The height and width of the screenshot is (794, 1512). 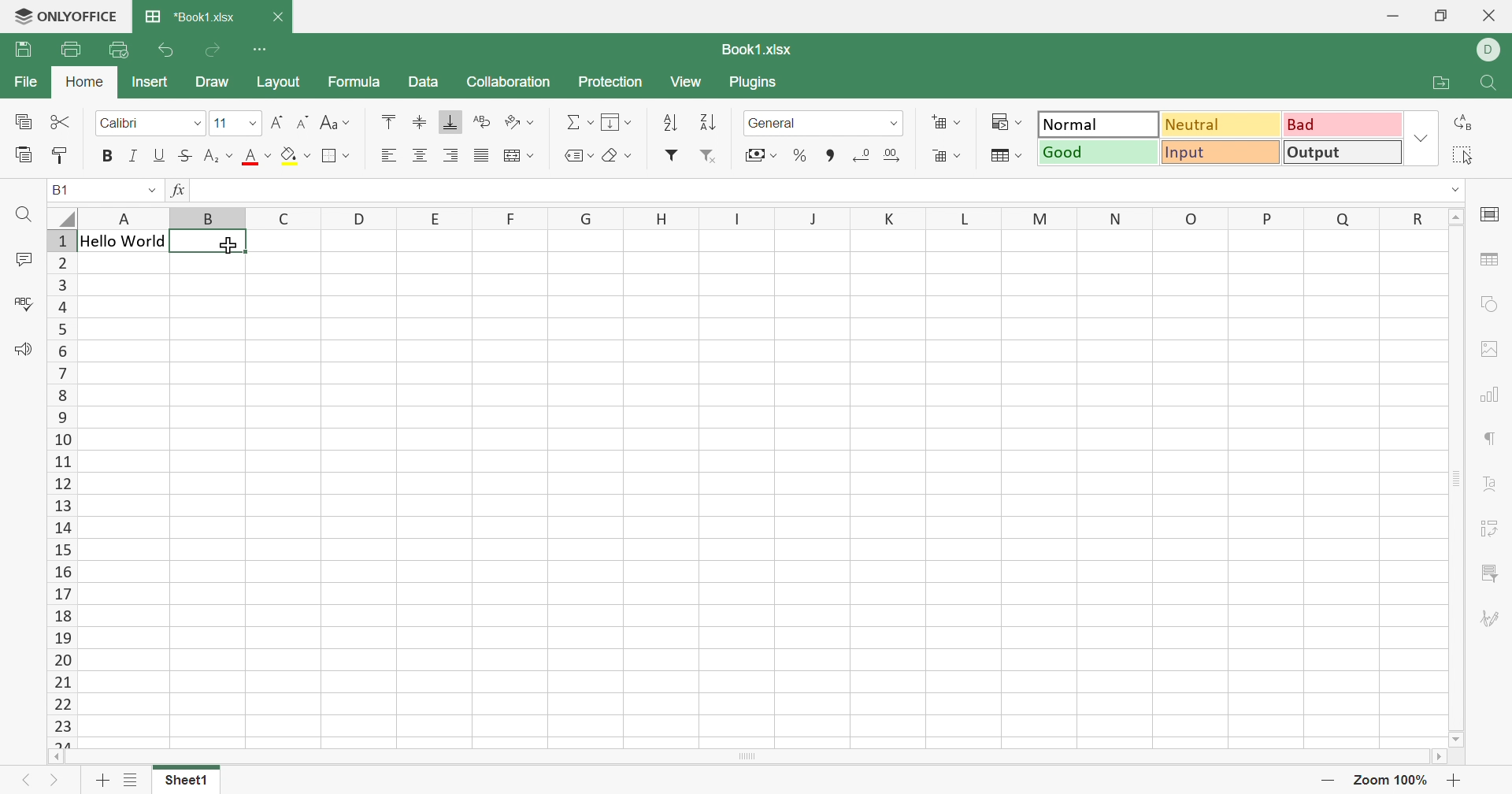 I want to click on Scroll Down, so click(x=1455, y=740).